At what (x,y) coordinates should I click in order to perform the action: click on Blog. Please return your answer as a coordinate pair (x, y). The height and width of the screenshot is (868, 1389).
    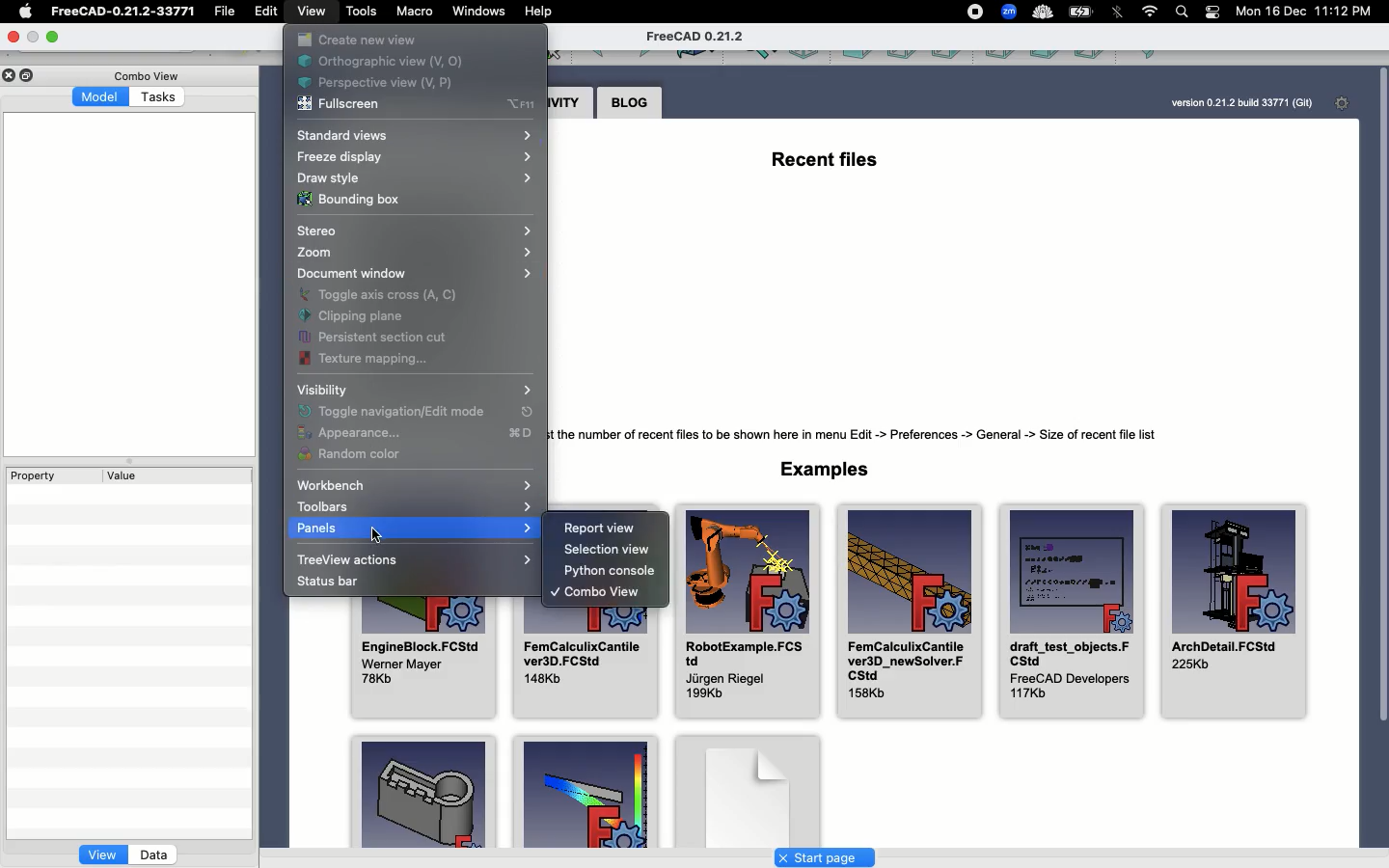
    Looking at the image, I should click on (630, 102).